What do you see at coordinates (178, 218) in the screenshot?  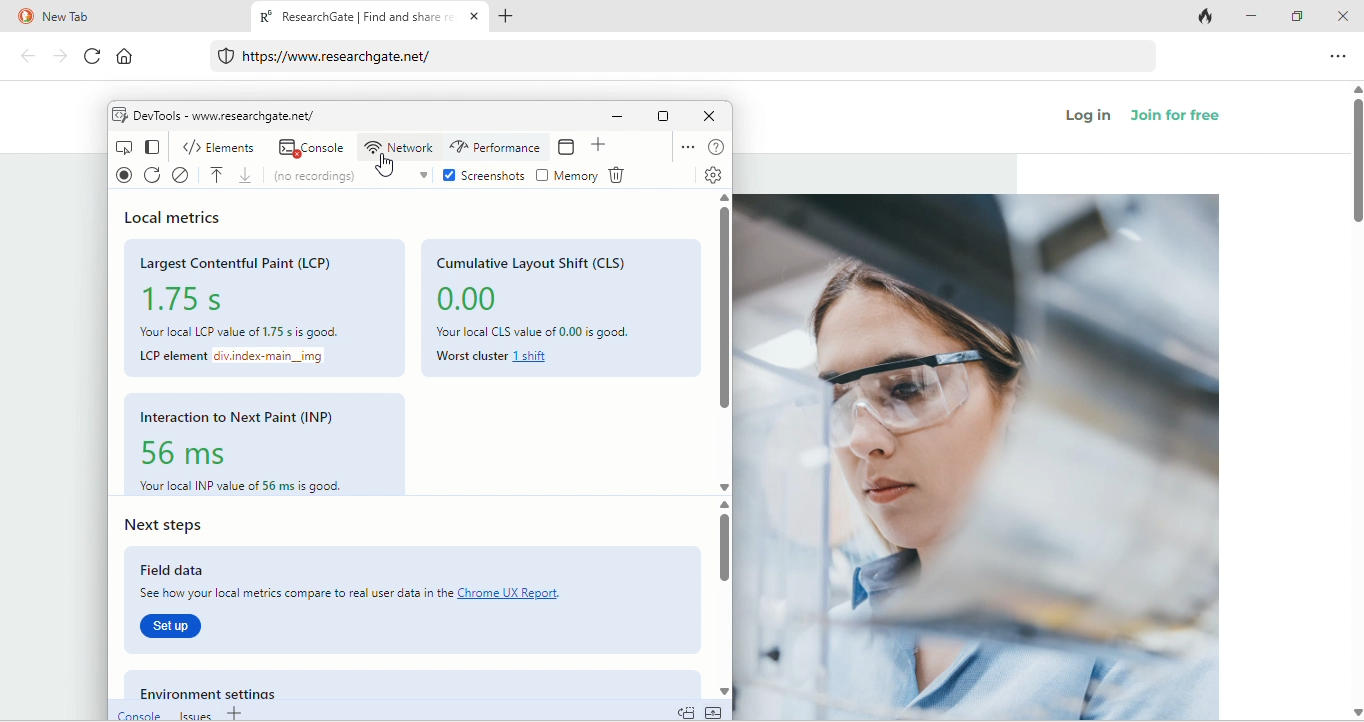 I see `local metrics` at bounding box center [178, 218].